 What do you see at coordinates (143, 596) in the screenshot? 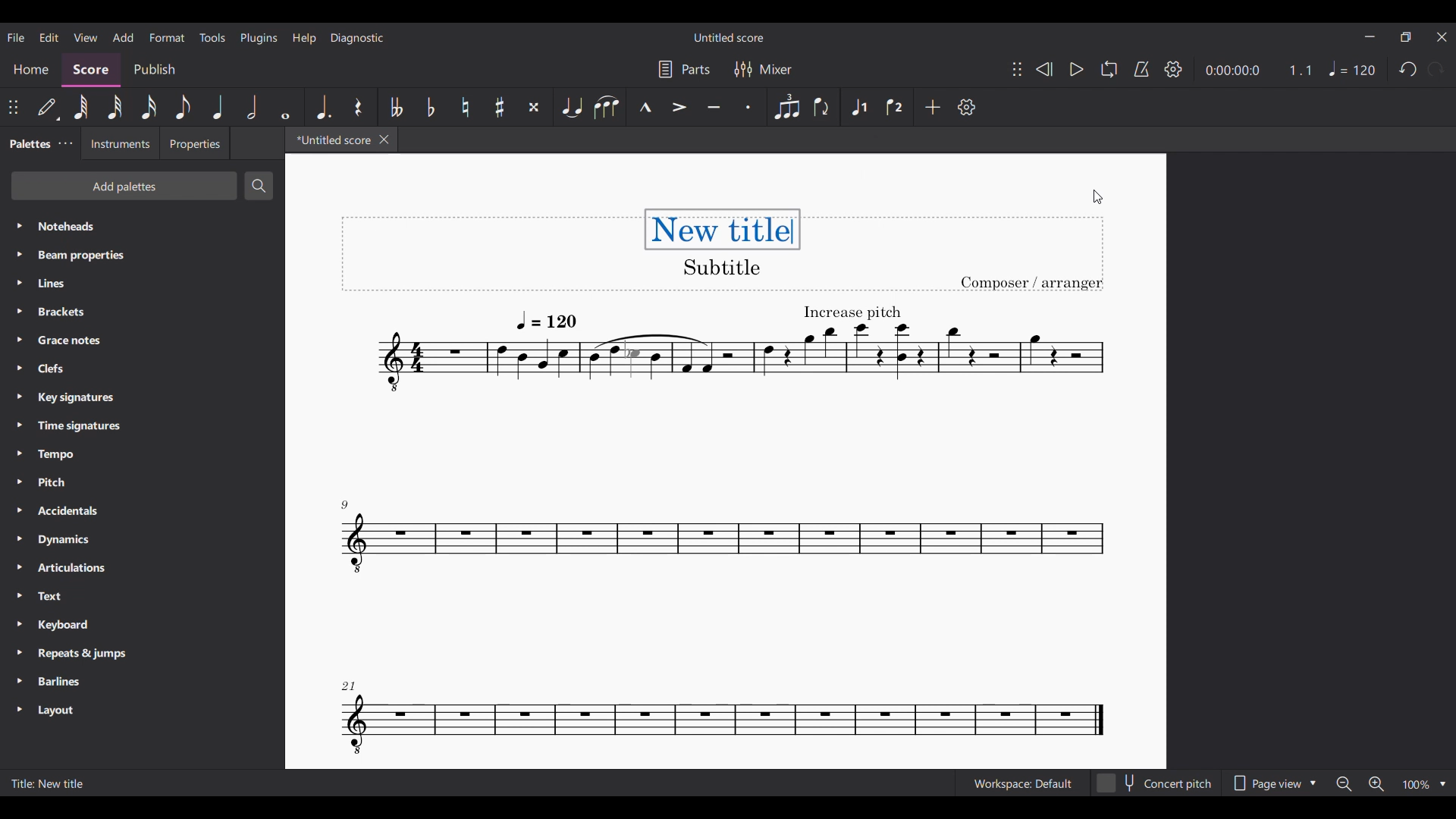
I see `Text` at bounding box center [143, 596].